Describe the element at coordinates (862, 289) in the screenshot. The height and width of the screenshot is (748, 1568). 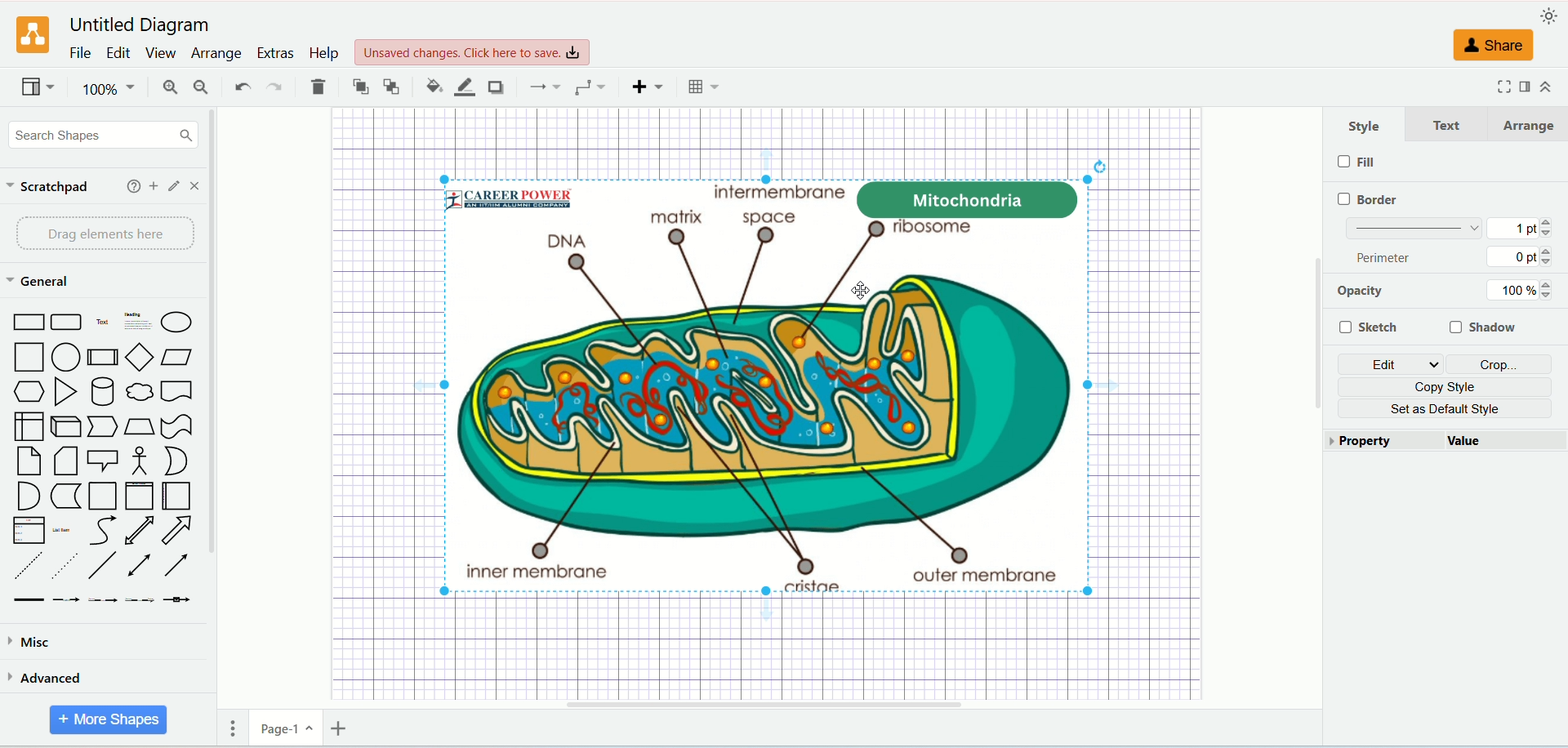
I see `Cursor Position` at that location.